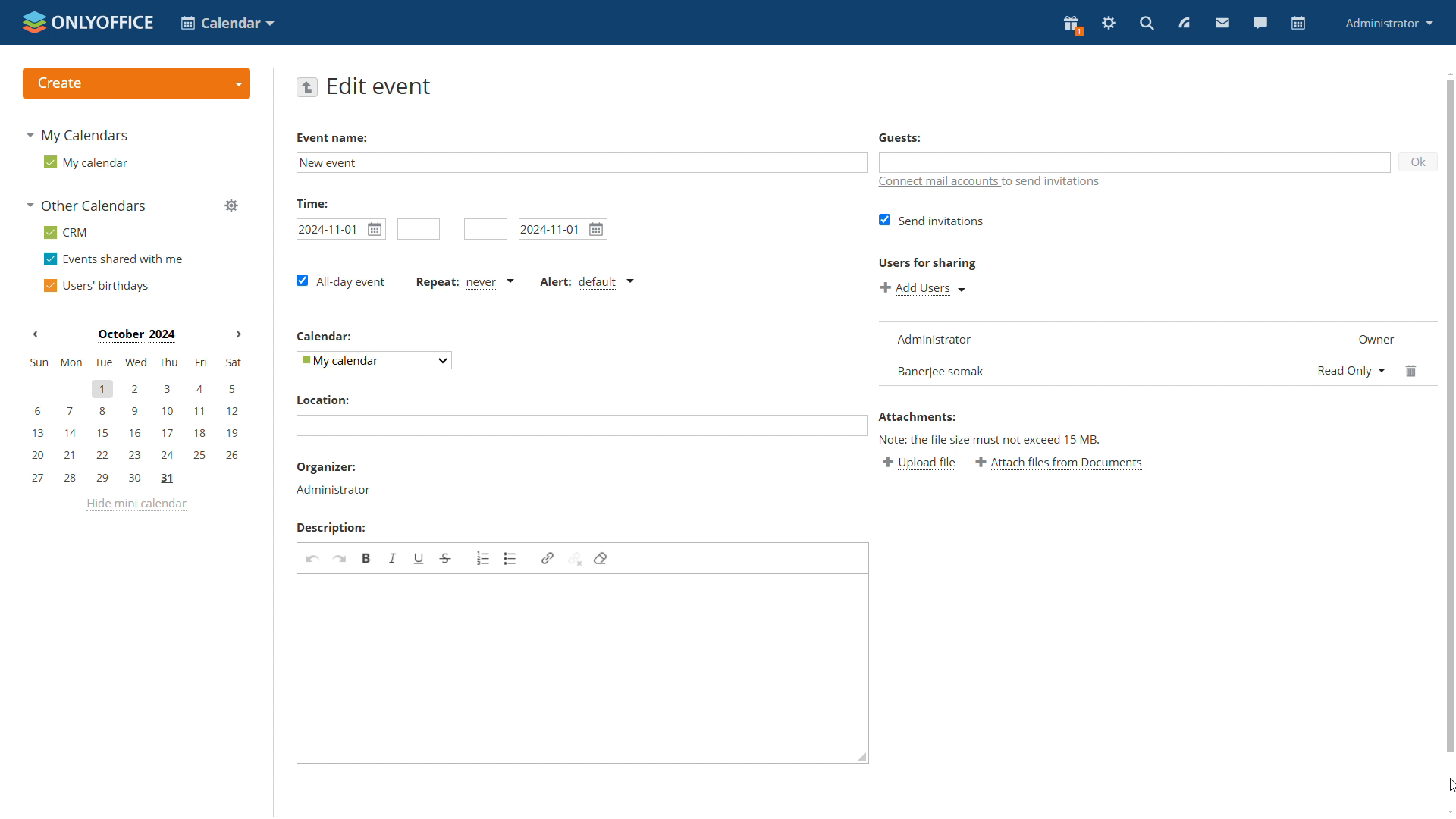 The width and height of the screenshot is (1456, 819). I want to click on all-day event checkbox, so click(341, 281).